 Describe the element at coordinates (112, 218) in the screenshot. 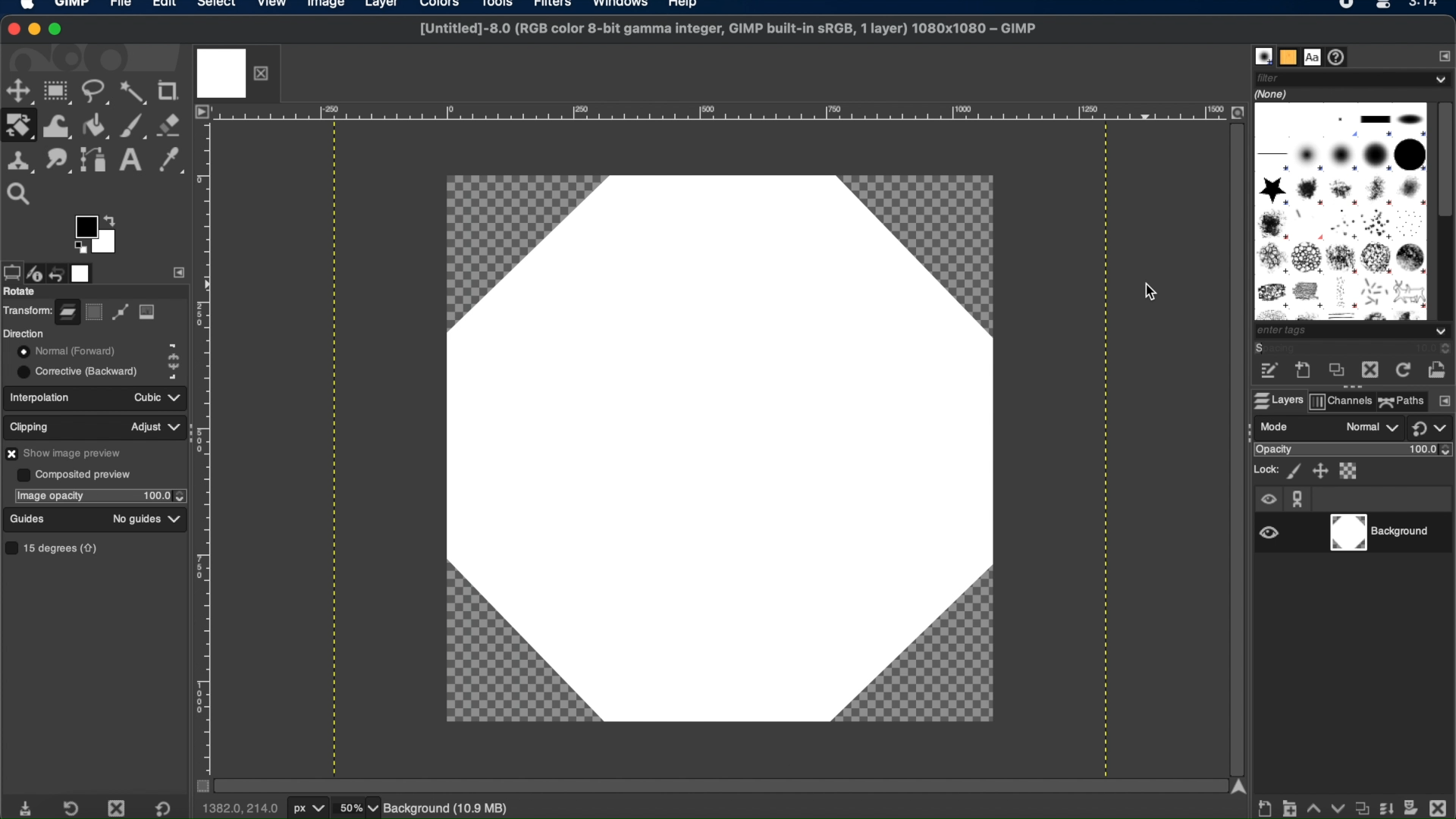

I see `arrow` at that location.